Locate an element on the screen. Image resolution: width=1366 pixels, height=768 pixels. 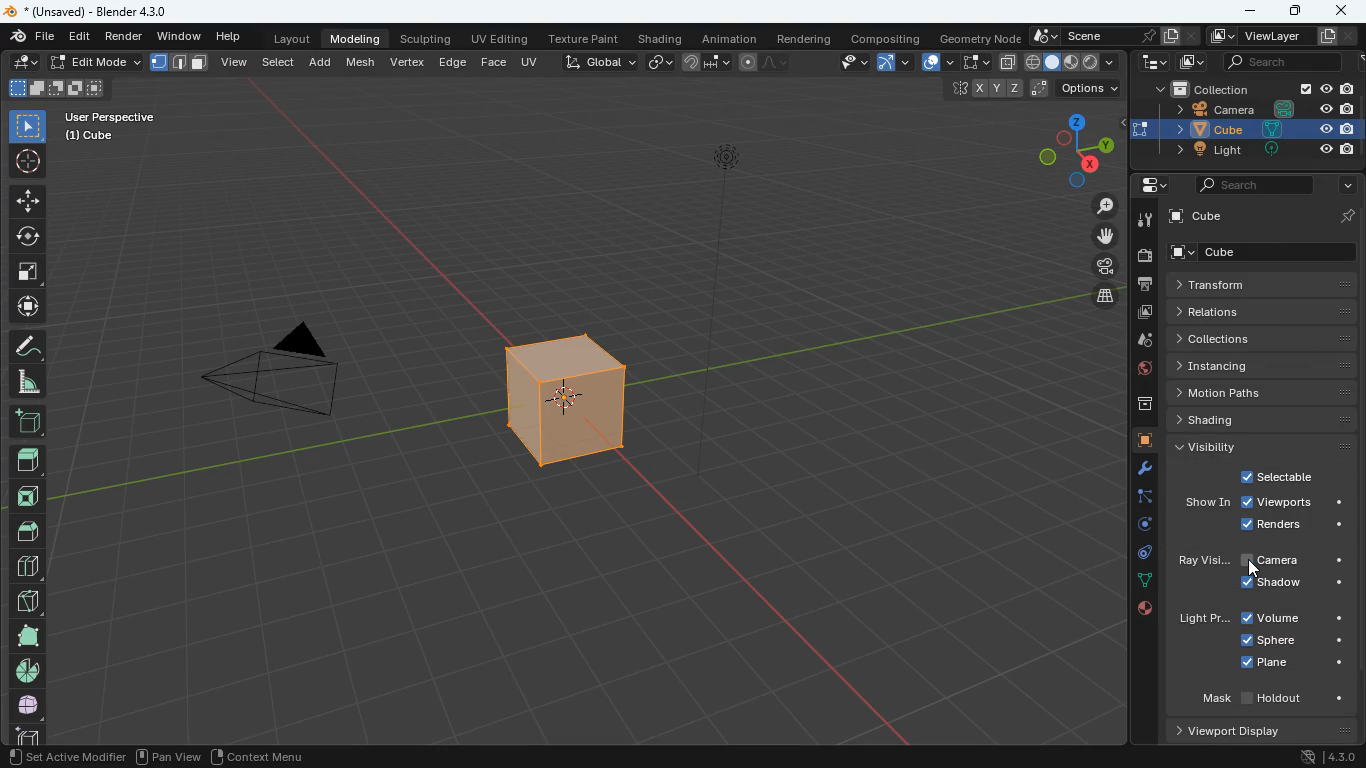
camera is located at coordinates (1147, 258).